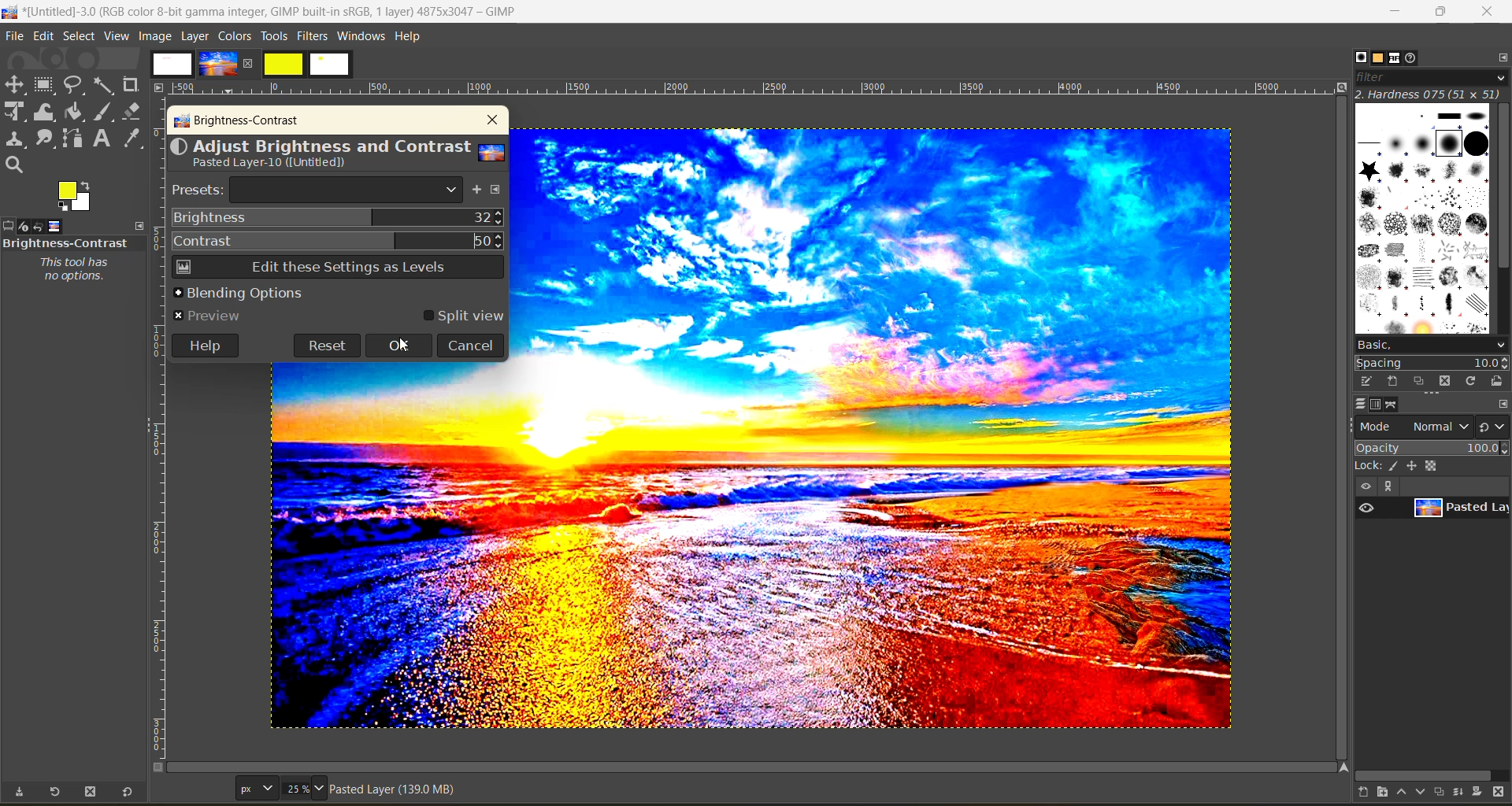  What do you see at coordinates (1423, 219) in the screenshot?
I see `brushes` at bounding box center [1423, 219].